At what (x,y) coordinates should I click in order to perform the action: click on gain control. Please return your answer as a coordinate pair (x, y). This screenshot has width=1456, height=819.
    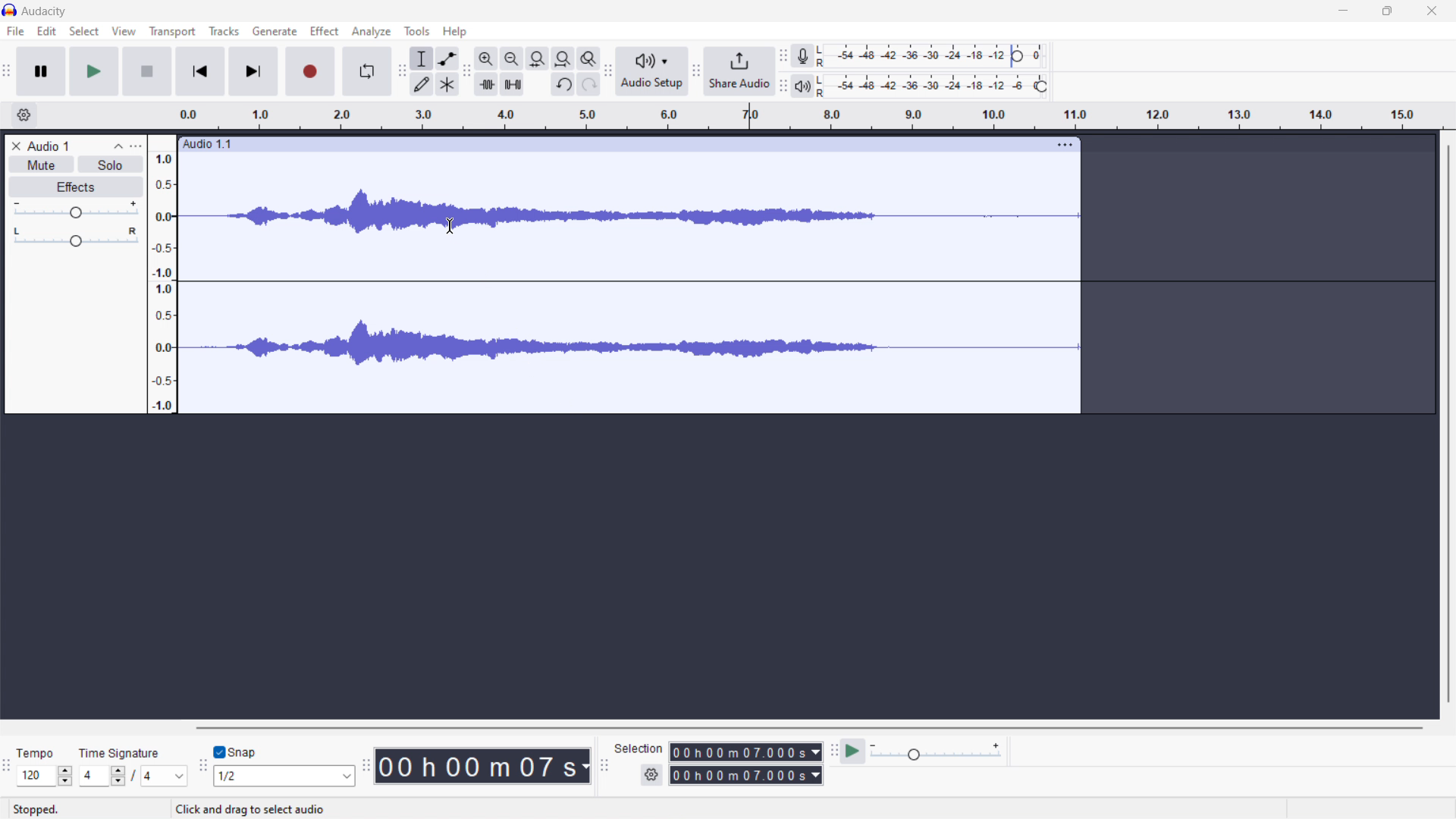
    Looking at the image, I should click on (75, 211).